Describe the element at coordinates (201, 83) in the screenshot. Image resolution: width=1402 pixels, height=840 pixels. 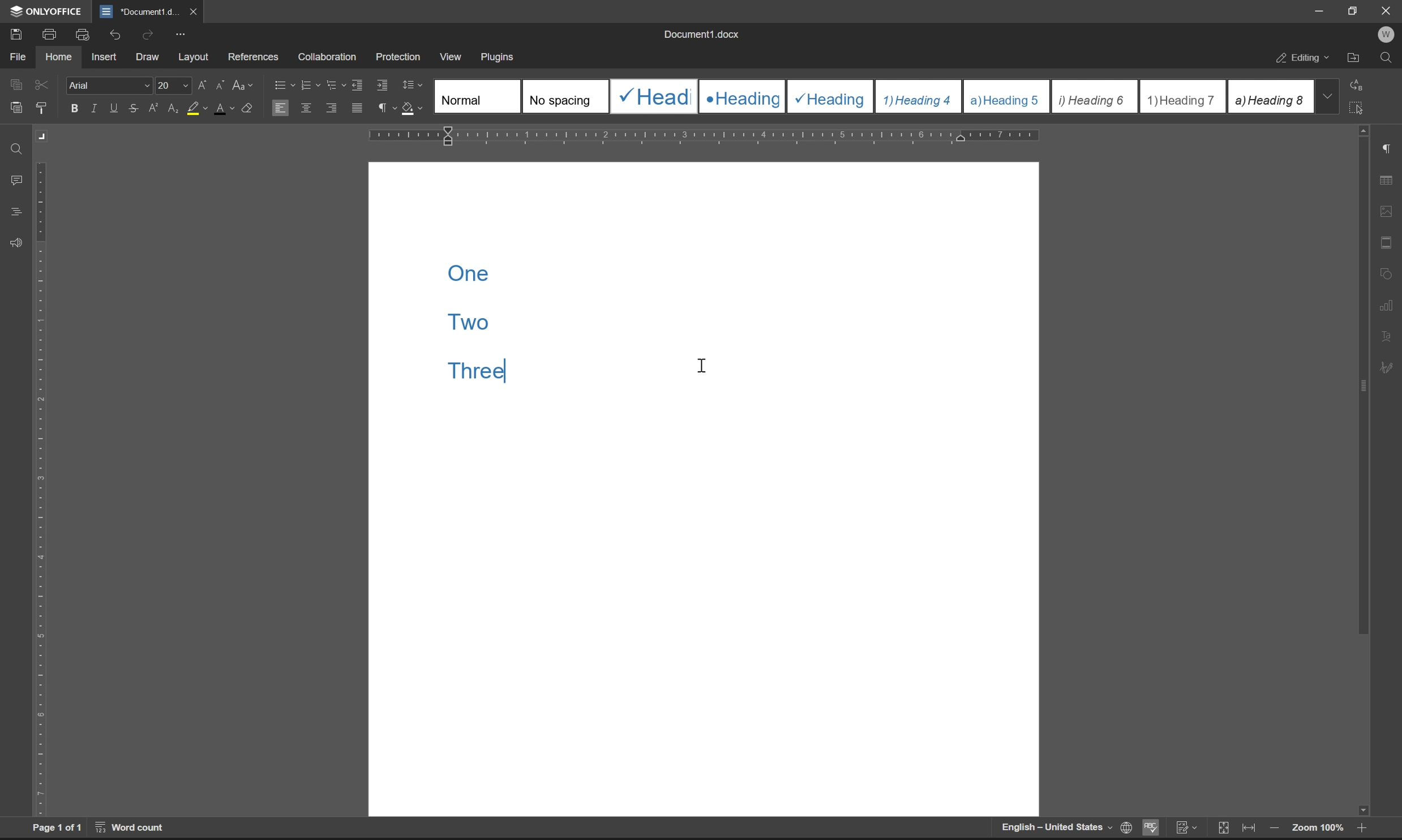
I see `increment font case` at that location.